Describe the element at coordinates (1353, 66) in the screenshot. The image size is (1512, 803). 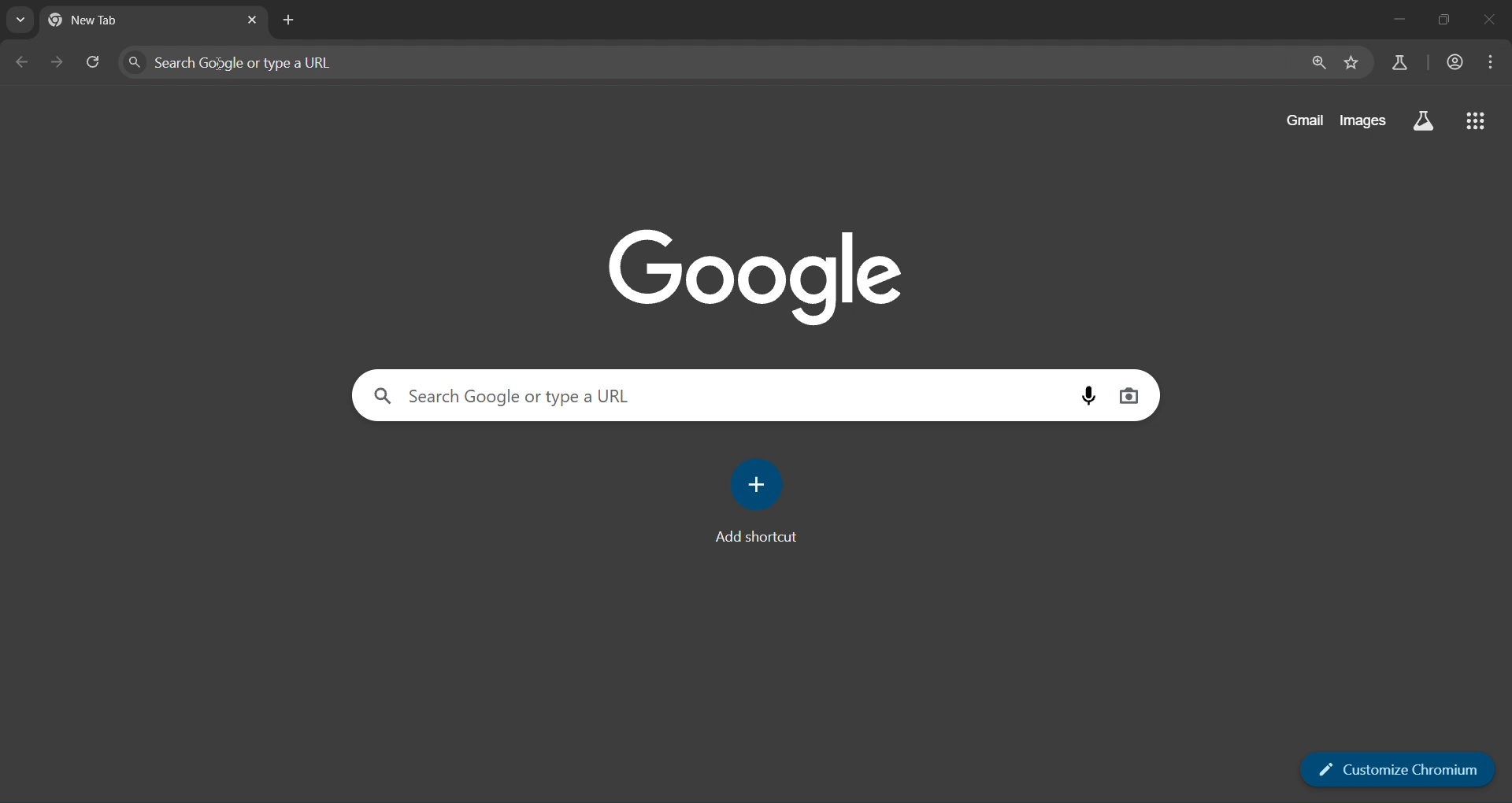
I see `bookmark page` at that location.